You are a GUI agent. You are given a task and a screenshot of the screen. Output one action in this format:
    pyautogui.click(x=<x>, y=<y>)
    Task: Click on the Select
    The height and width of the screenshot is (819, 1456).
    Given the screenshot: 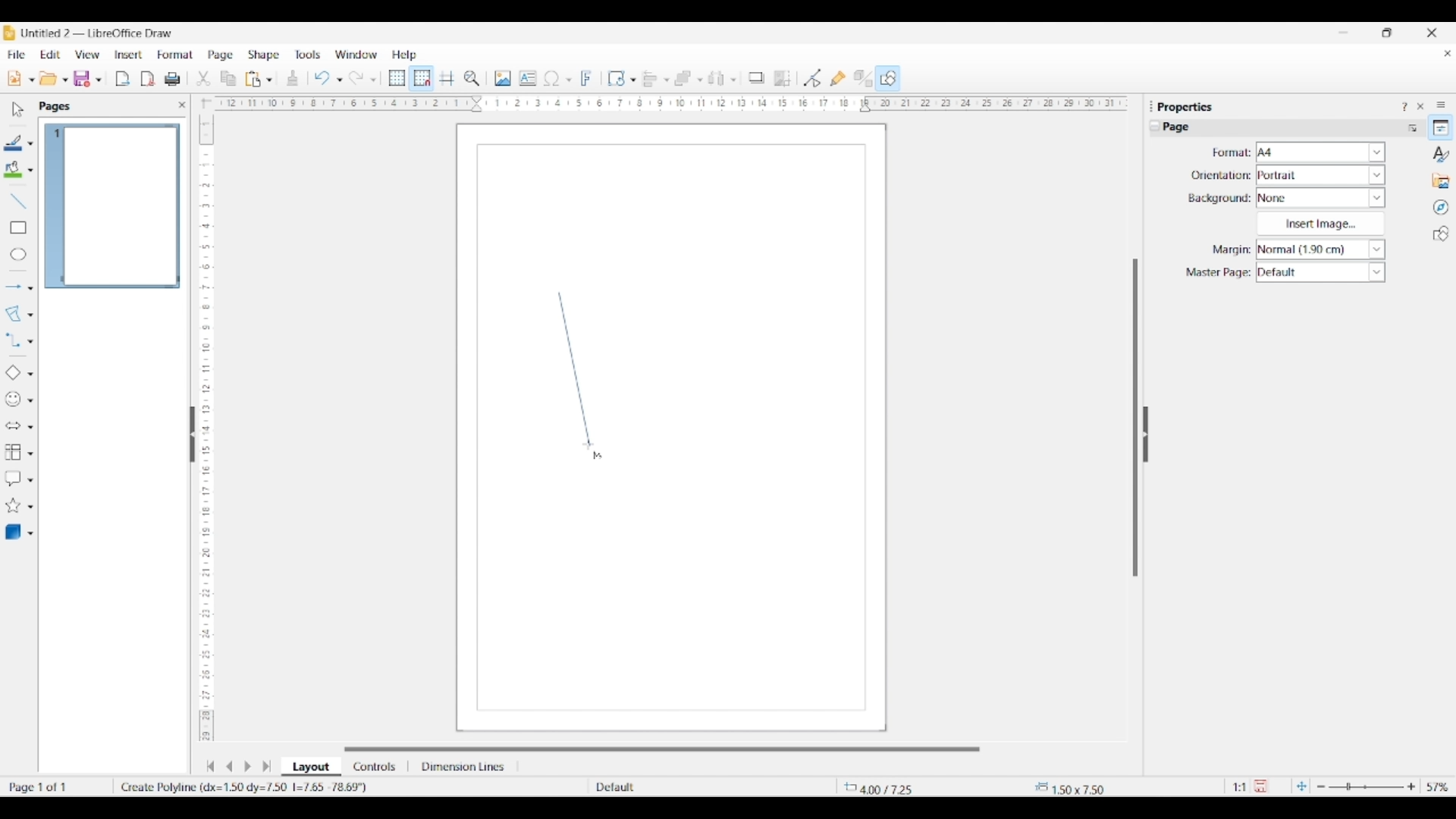 What is the action you would take?
    pyautogui.click(x=18, y=109)
    